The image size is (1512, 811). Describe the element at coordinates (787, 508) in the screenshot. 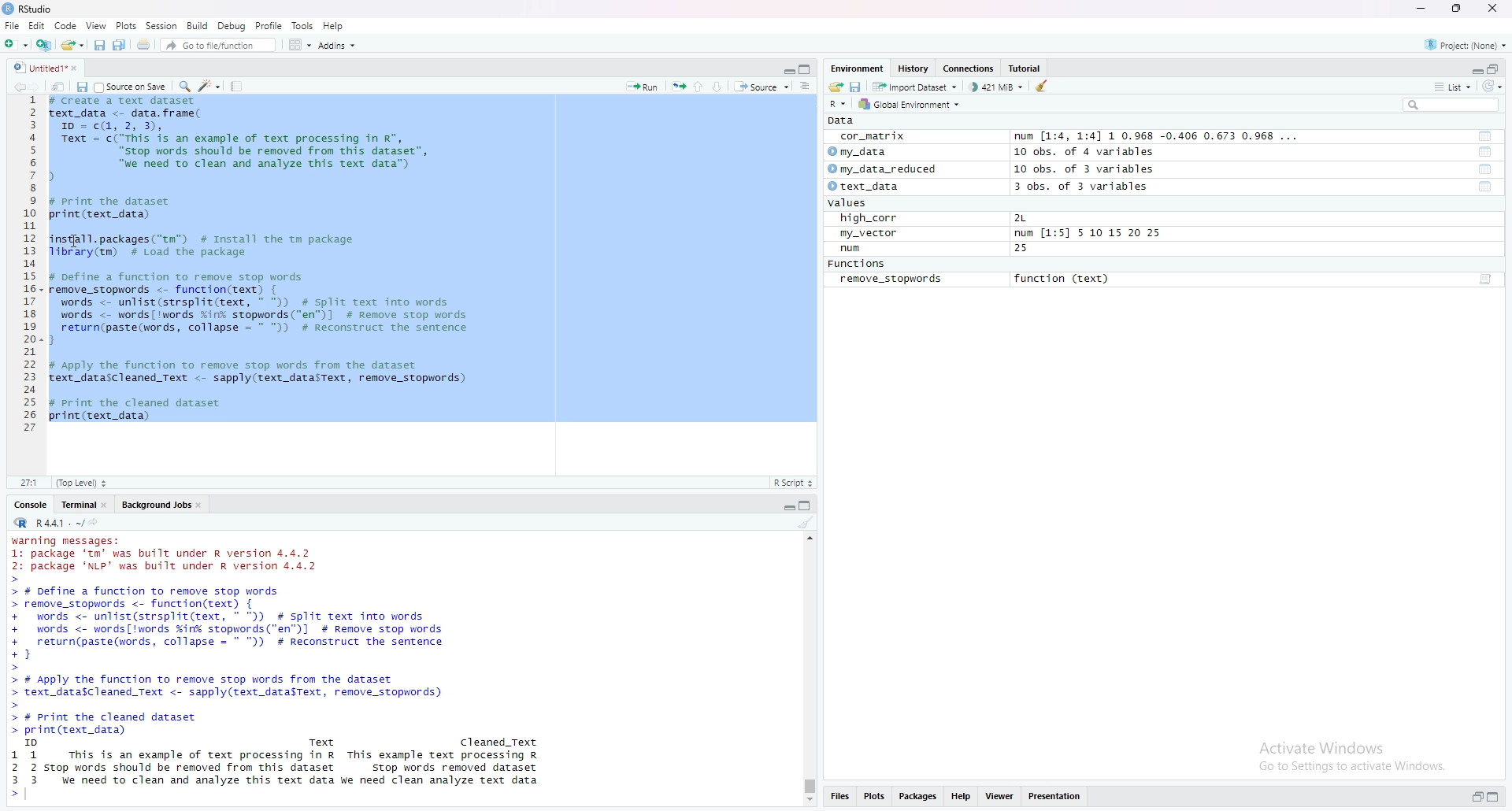

I see `expand` at that location.